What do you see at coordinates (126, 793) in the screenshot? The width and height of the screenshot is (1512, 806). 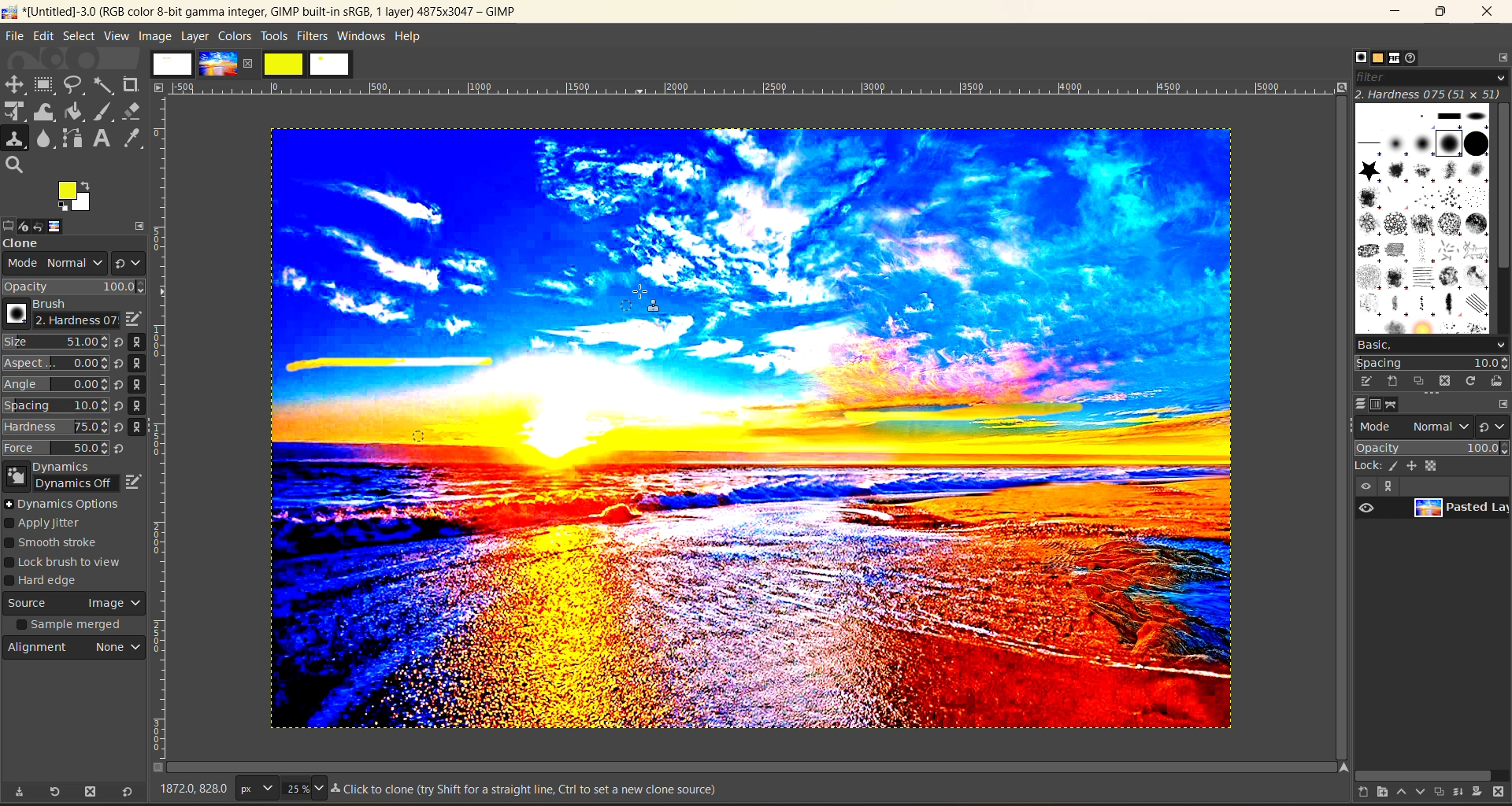 I see `reset to default values` at bounding box center [126, 793].